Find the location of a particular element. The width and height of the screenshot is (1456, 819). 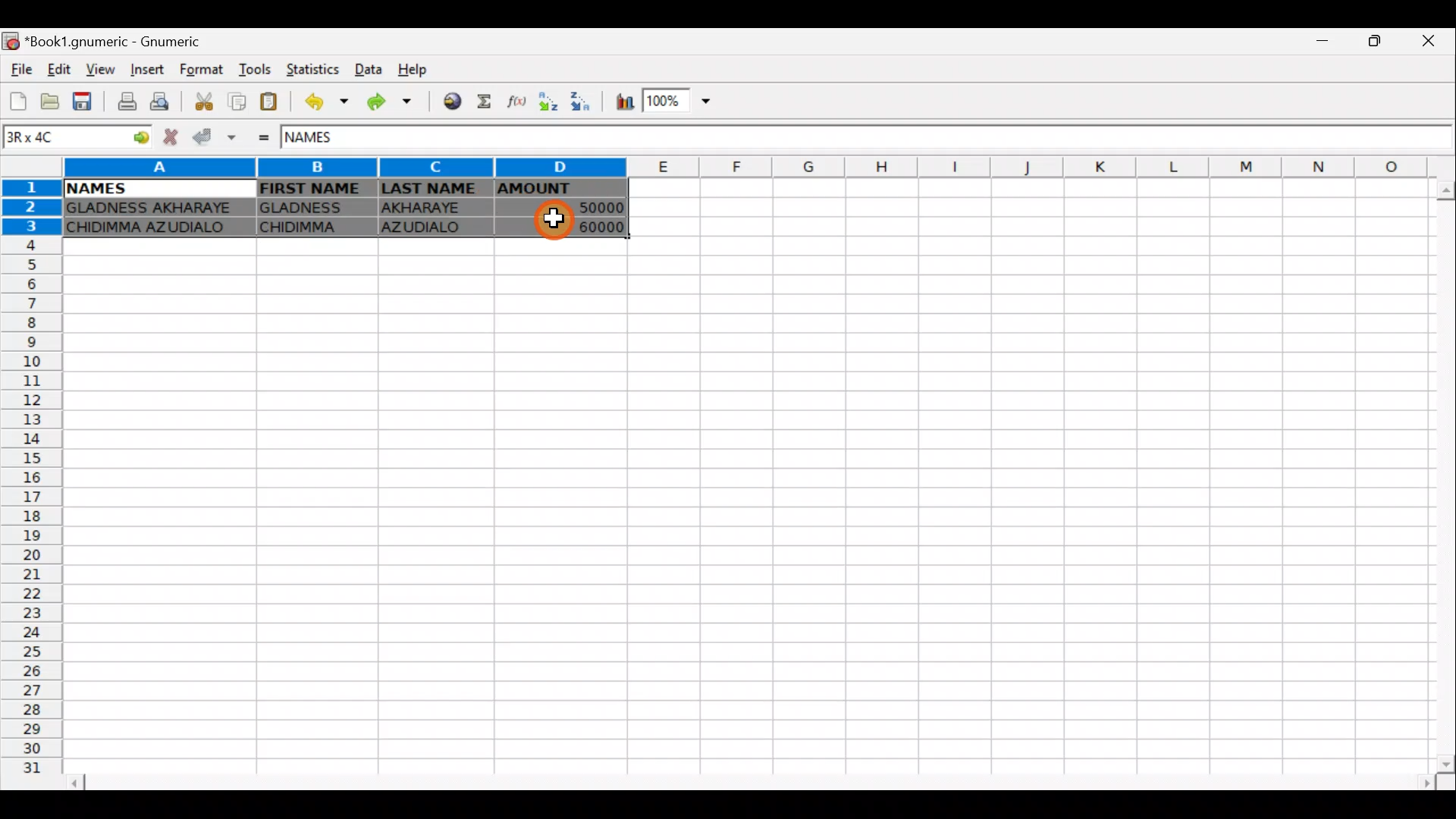

Formula bar is located at coordinates (909, 140).